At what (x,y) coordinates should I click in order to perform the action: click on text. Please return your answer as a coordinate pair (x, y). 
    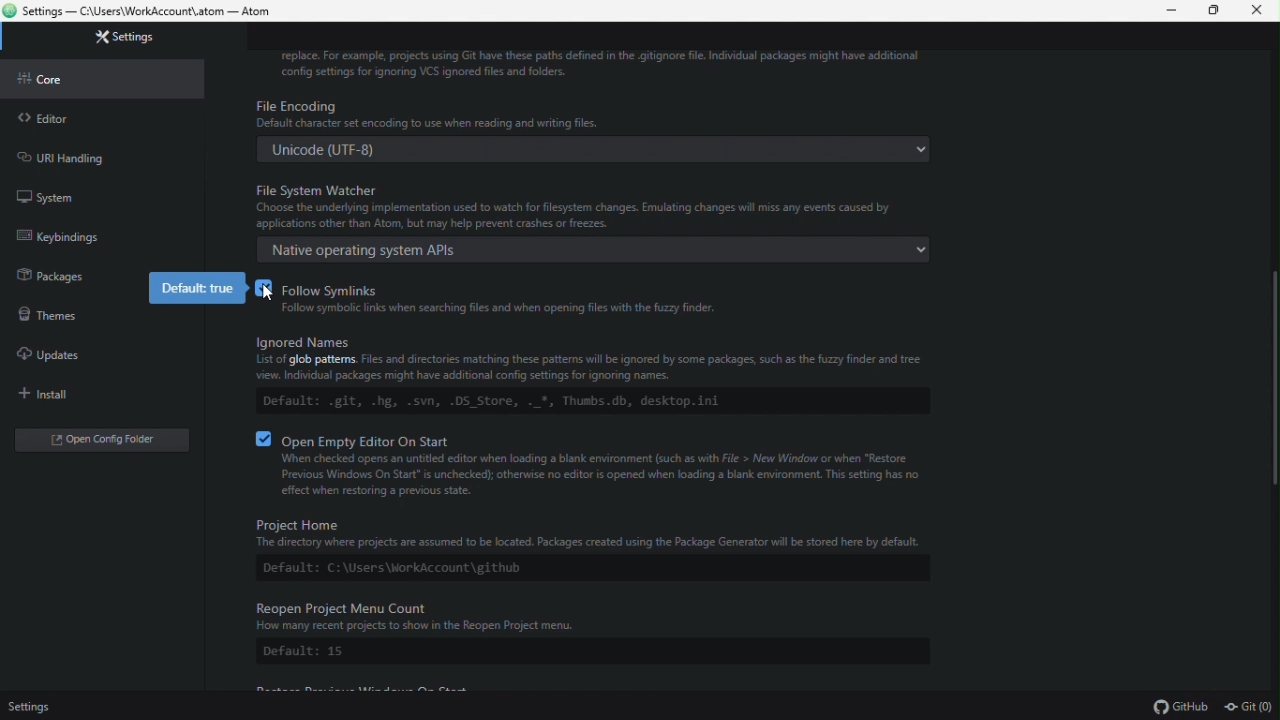
    Looking at the image, I should click on (603, 64).